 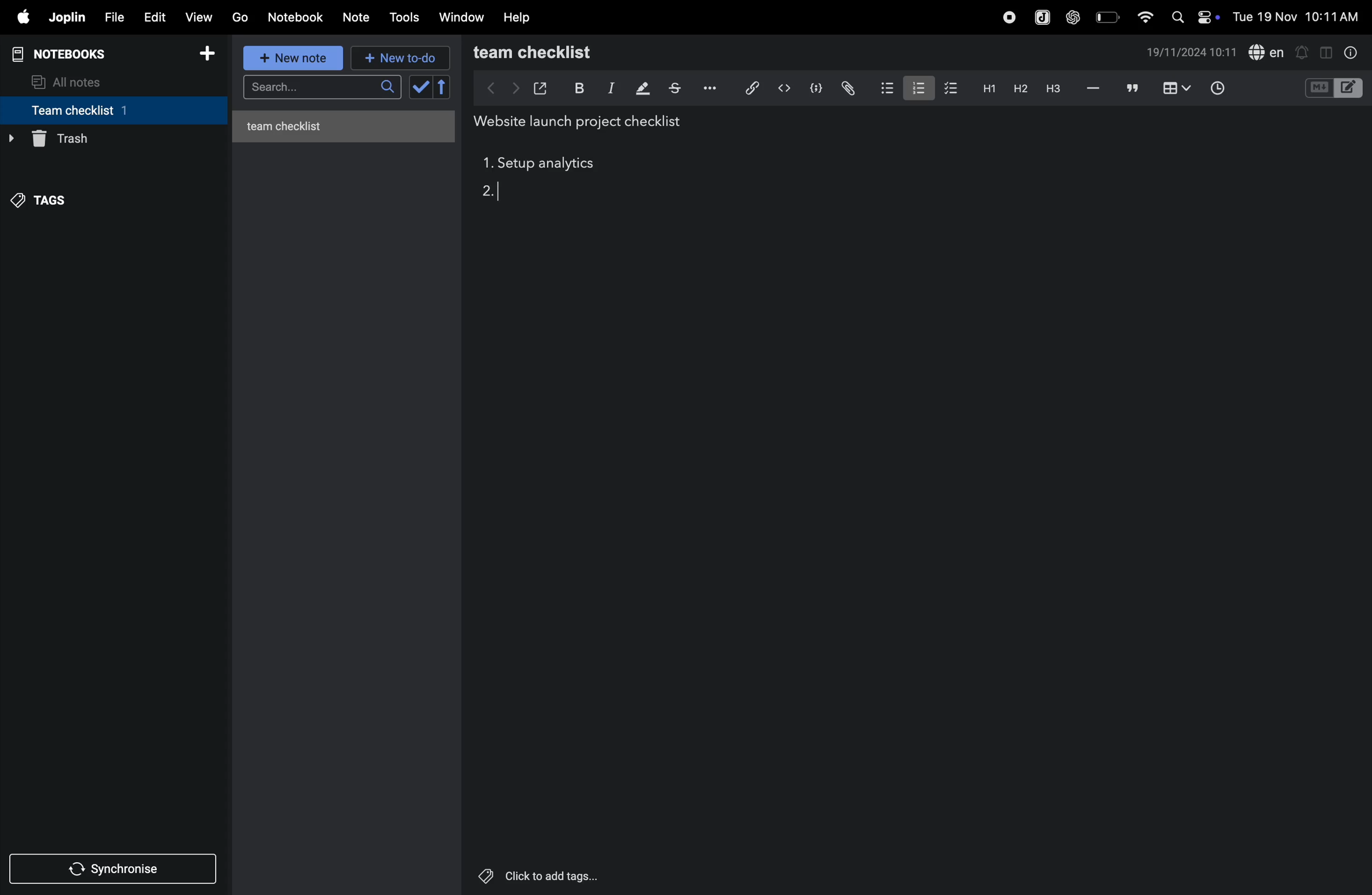 What do you see at coordinates (115, 868) in the screenshot?
I see `synchronize` at bounding box center [115, 868].